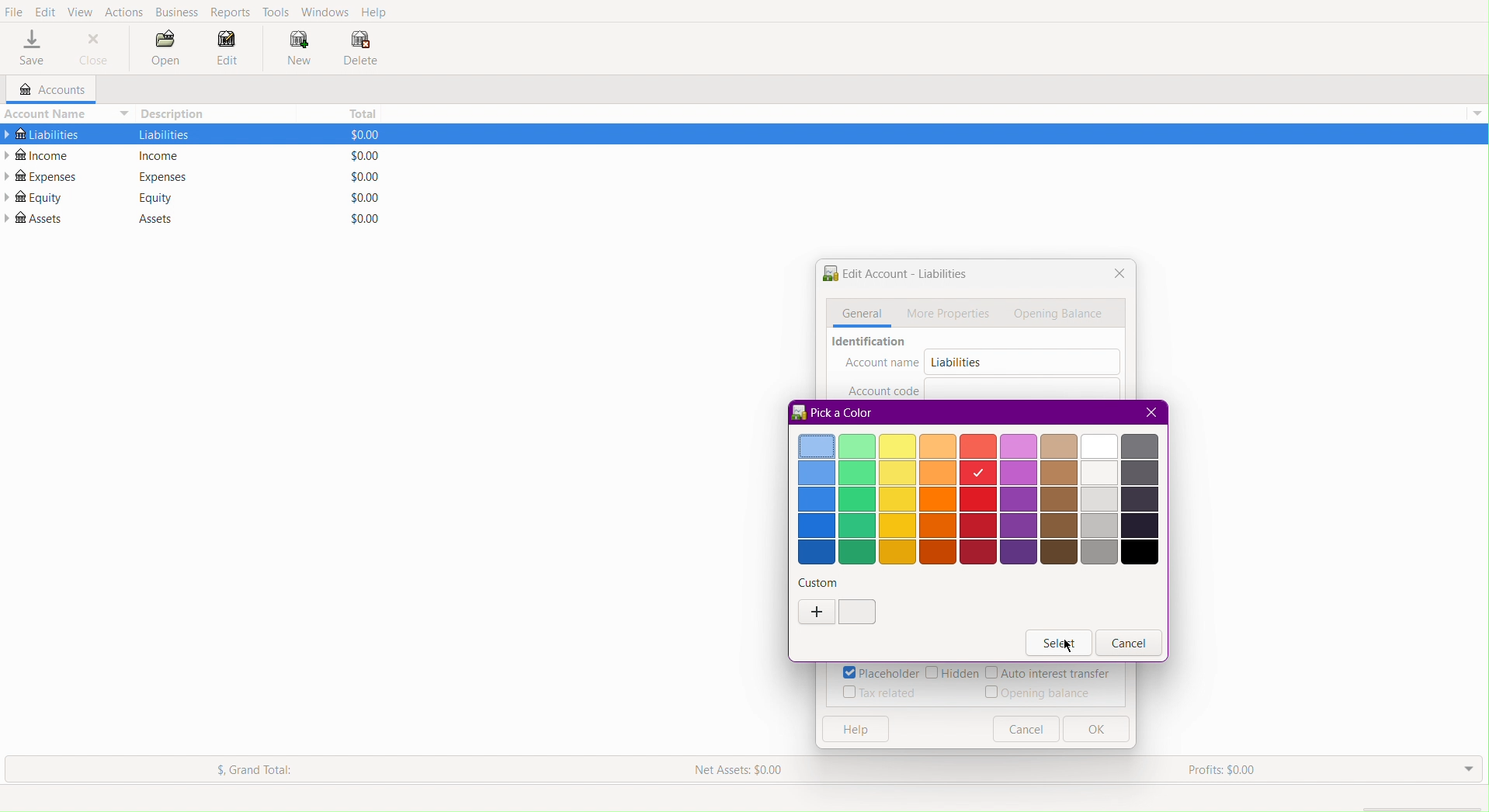 This screenshot has width=1489, height=812. Describe the element at coordinates (377, 12) in the screenshot. I see `Help` at that location.